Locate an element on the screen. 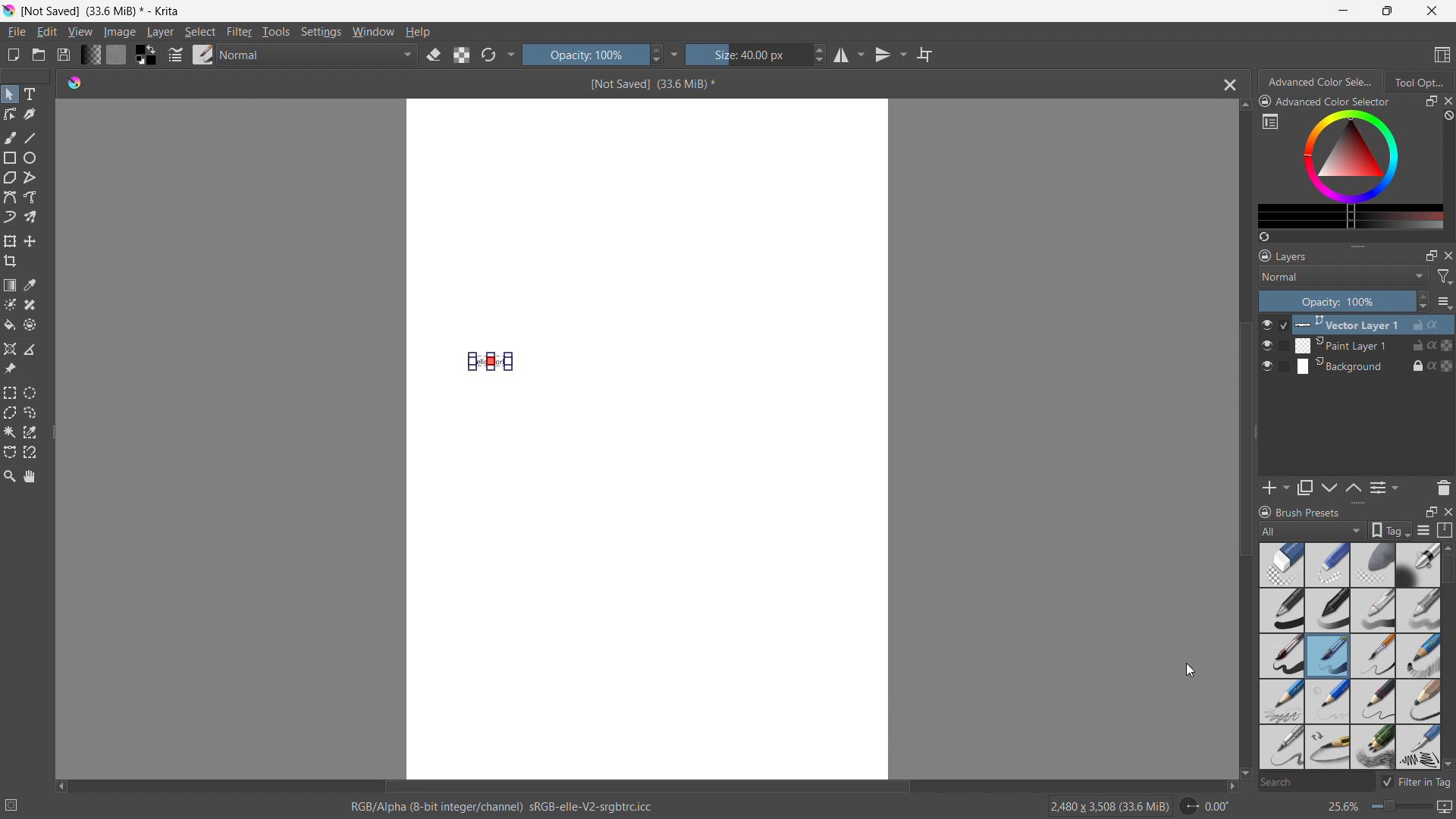 The height and width of the screenshot is (819, 1456). tools is located at coordinates (277, 32).